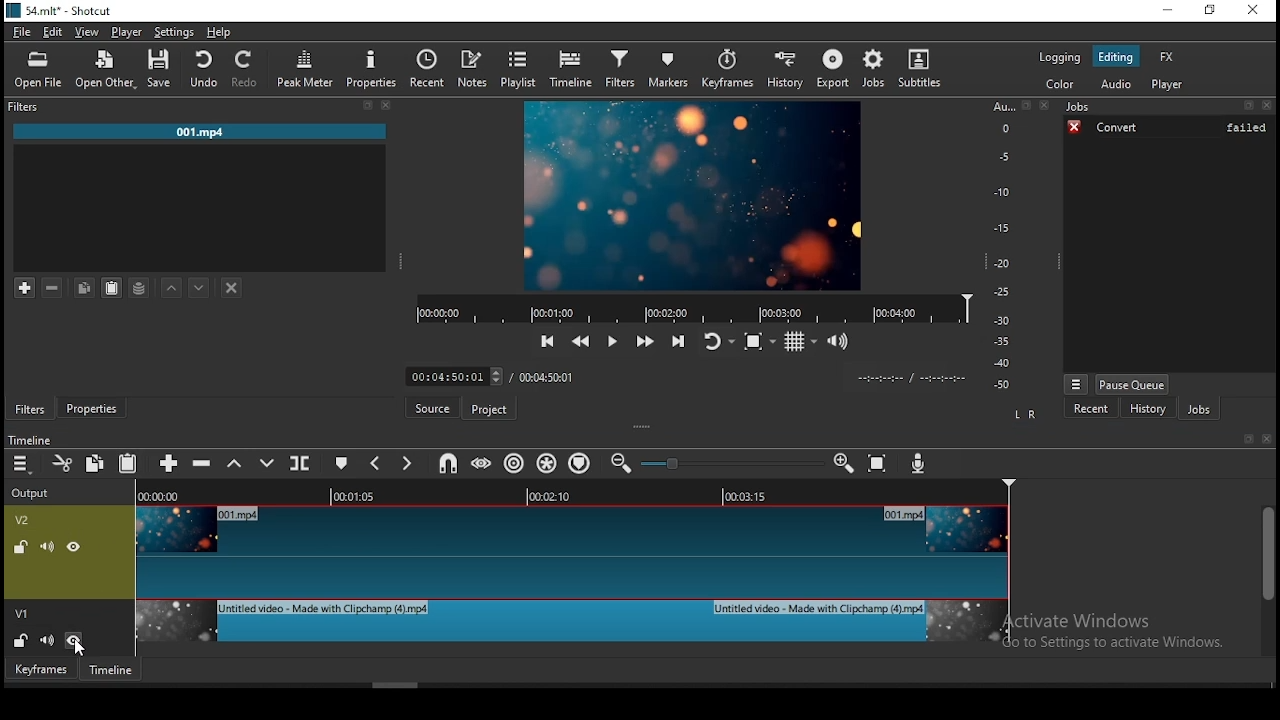 The image size is (1280, 720). Describe the element at coordinates (474, 69) in the screenshot. I see `notes` at that location.